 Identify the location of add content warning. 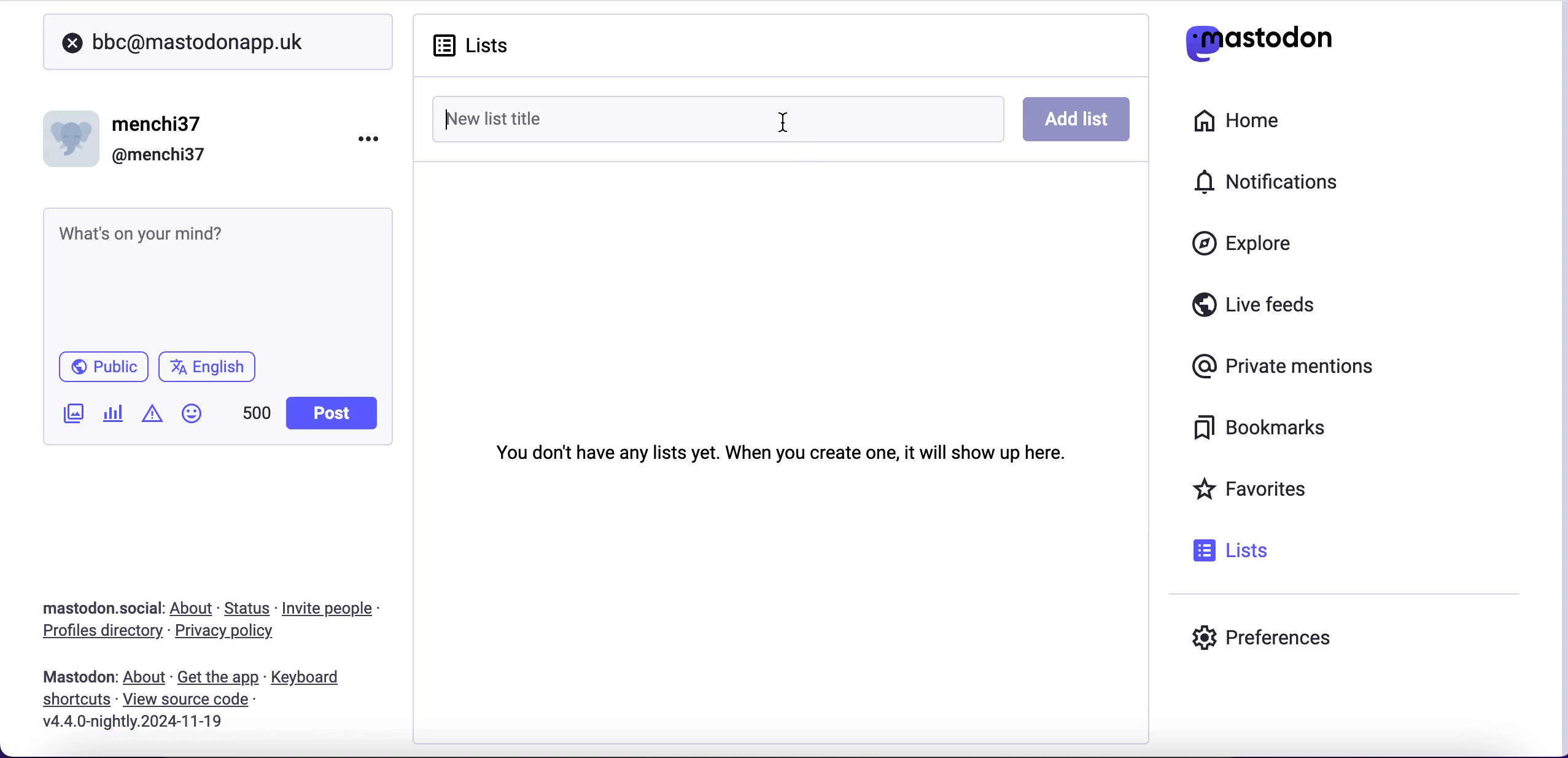
(155, 415).